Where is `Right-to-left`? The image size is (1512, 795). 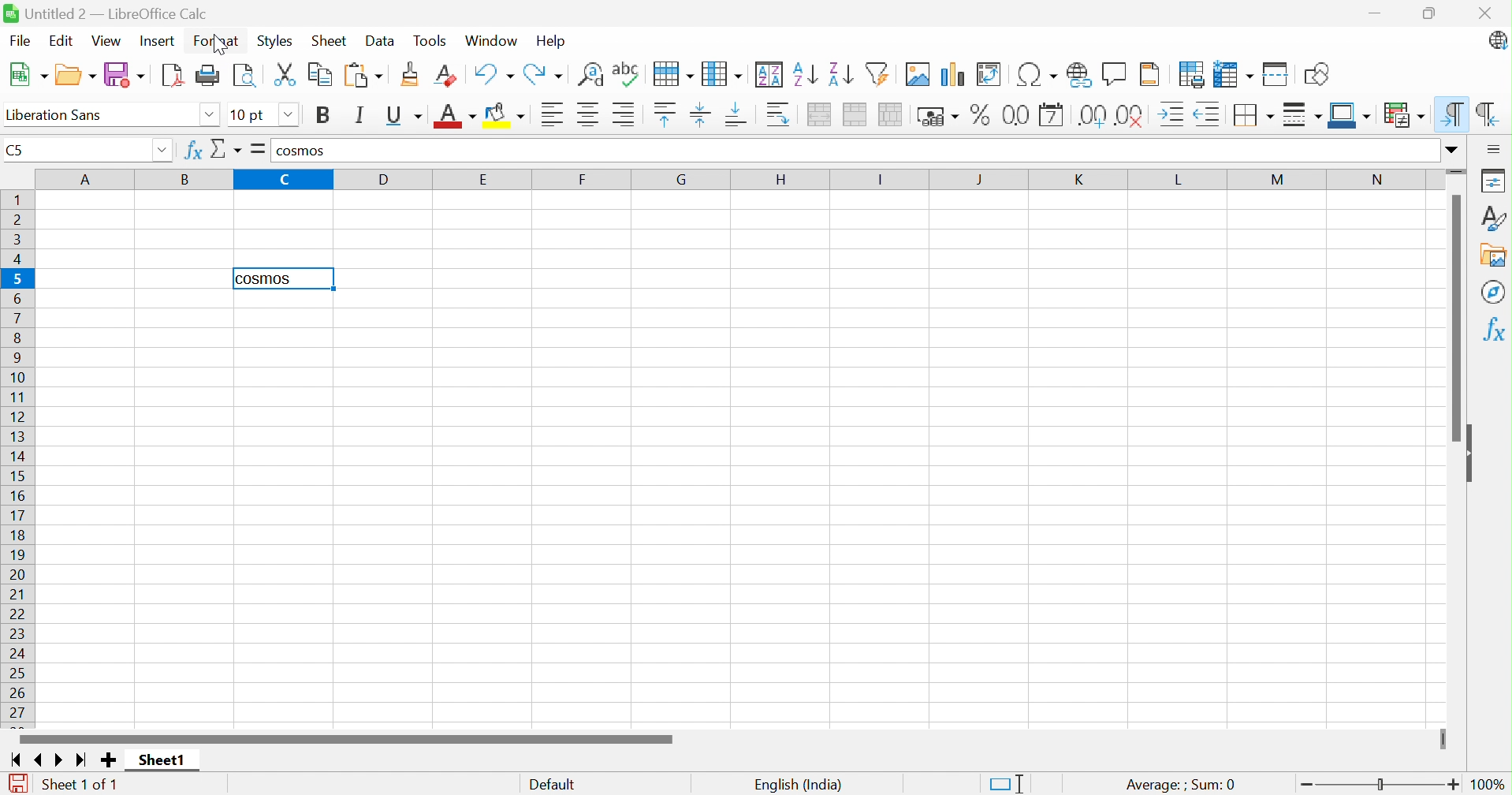 Right-to-left is located at coordinates (1484, 114).